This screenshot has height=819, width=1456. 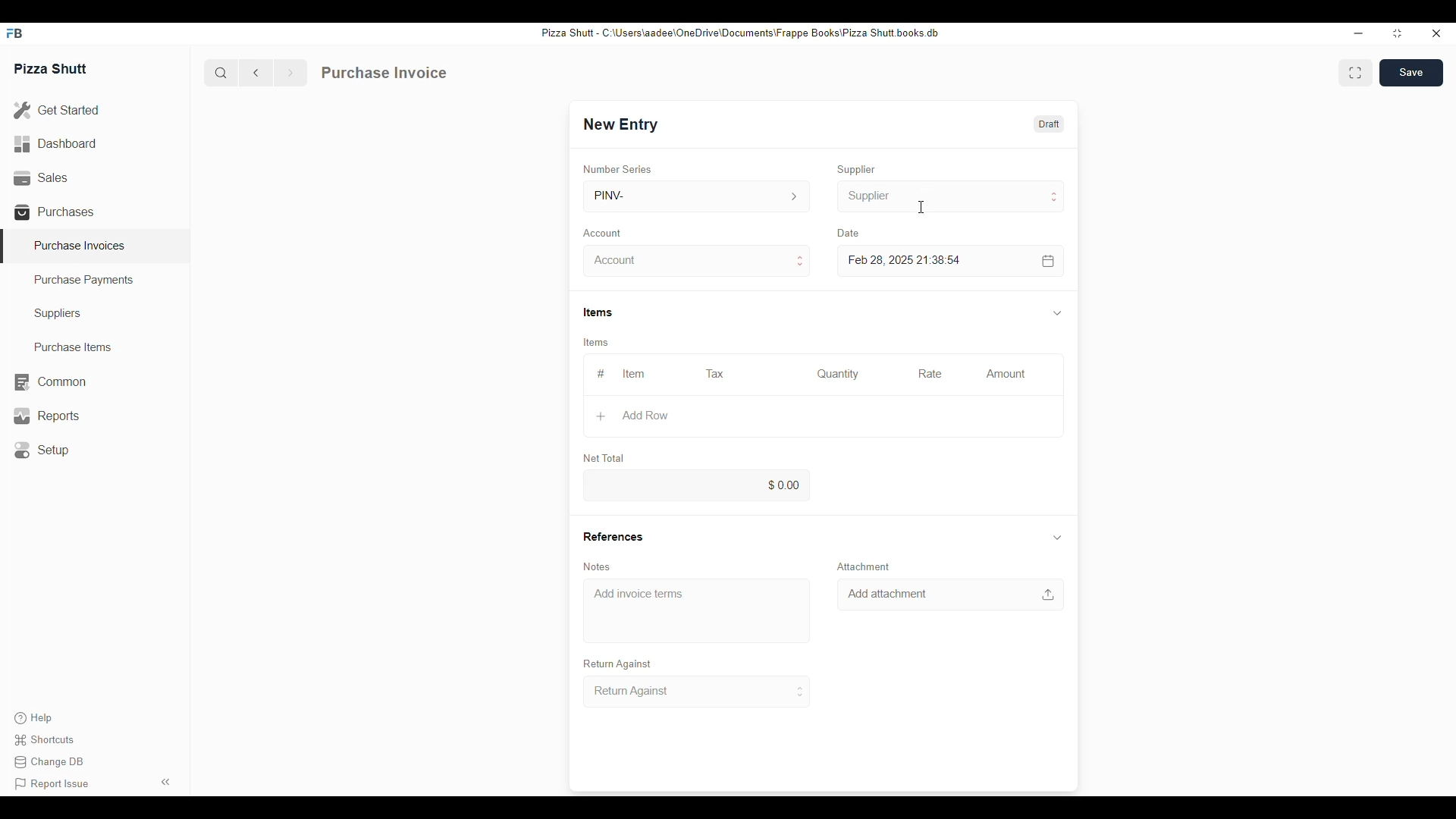 I want to click on Notes, so click(x=597, y=566).